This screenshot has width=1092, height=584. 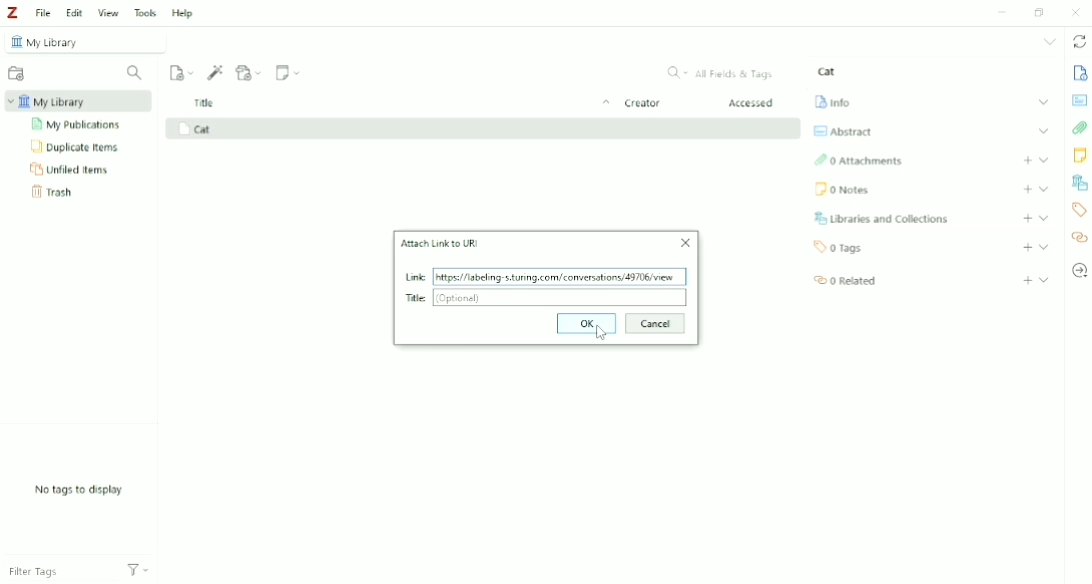 What do you see at coordinates (1079, 99) in the screenshot?
I see `Abstract` at bounding box center [1079, 99].